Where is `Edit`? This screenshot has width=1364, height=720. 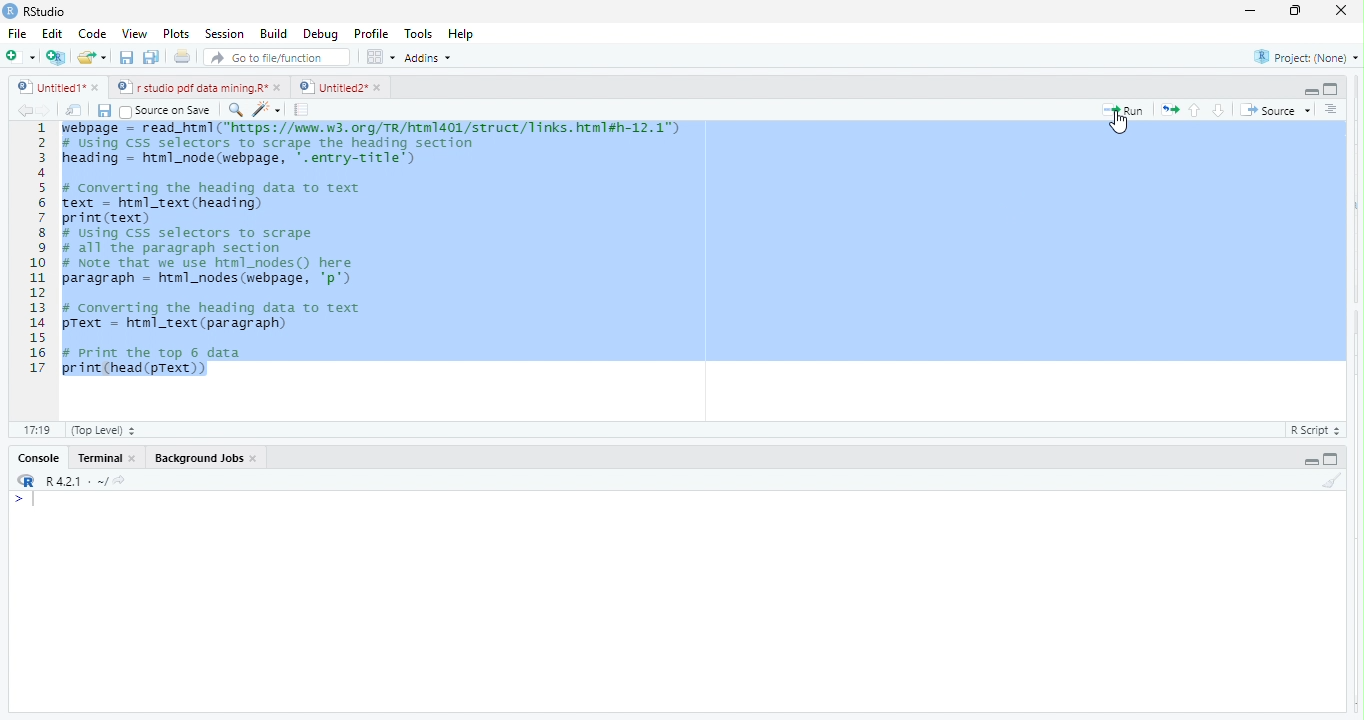
Edit is located at coordinates (53, 33).